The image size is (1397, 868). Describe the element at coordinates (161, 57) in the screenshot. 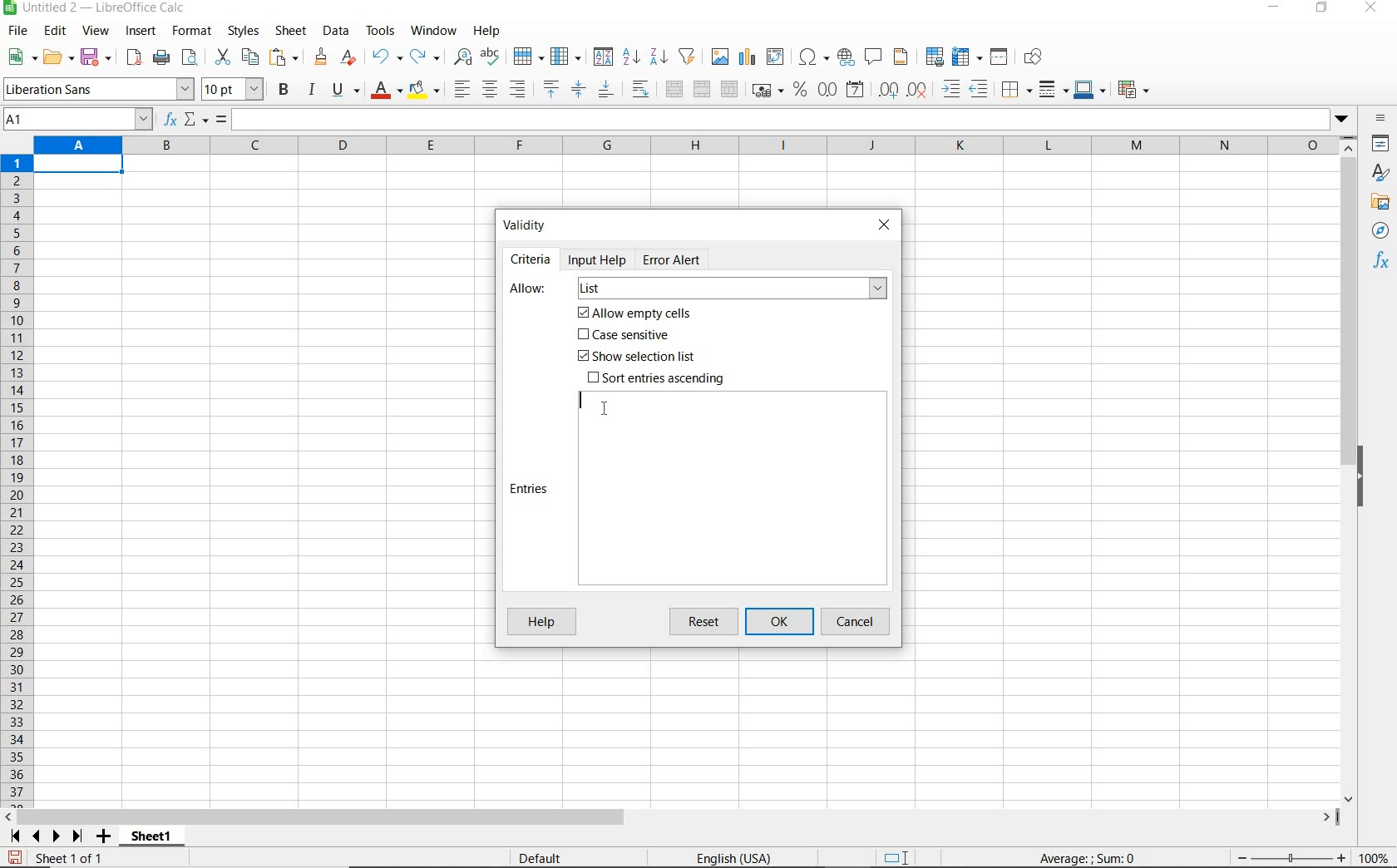

I see `print` at that location.